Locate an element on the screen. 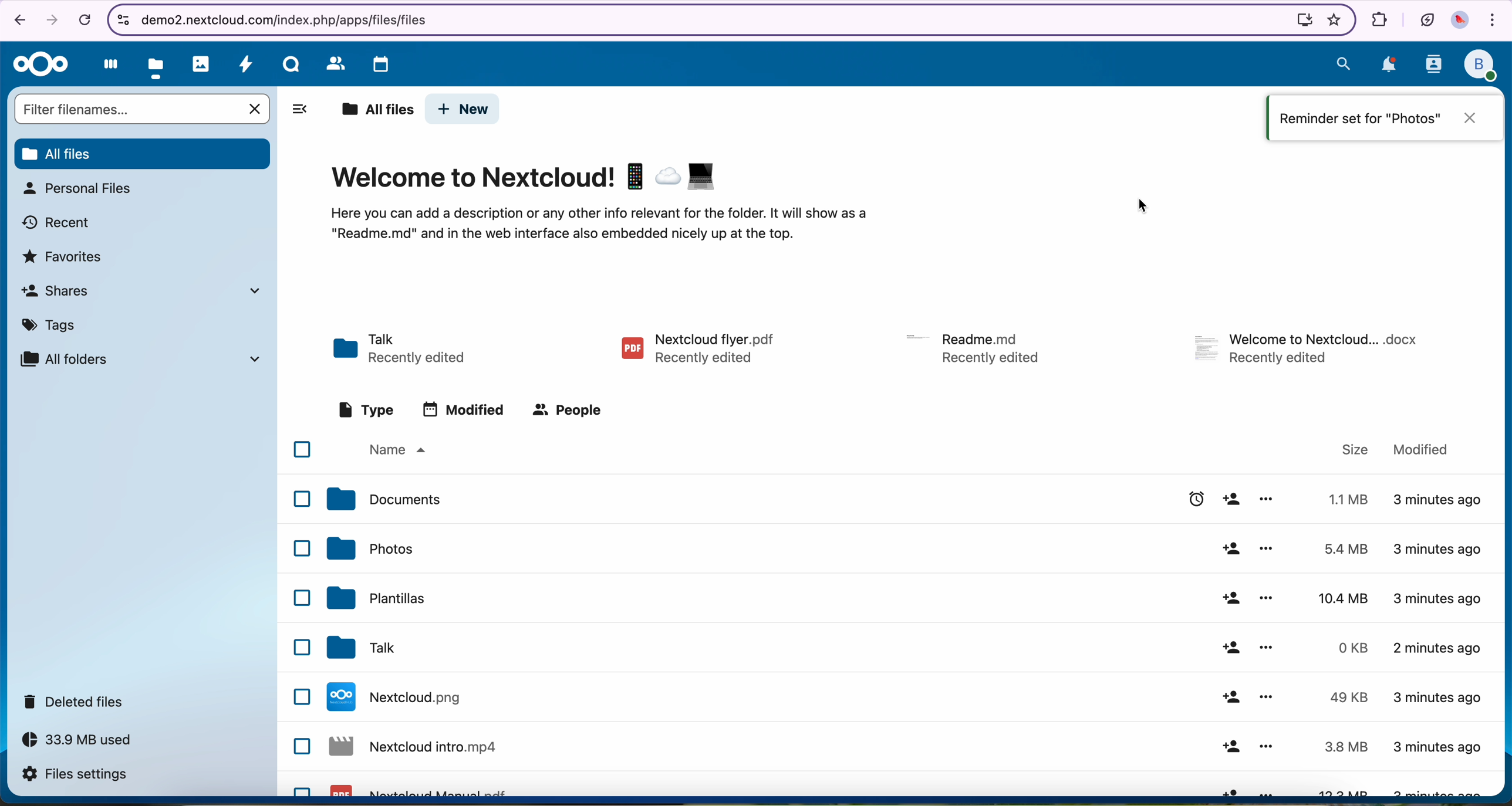  3.8 is located at coordinates (1346, 747).